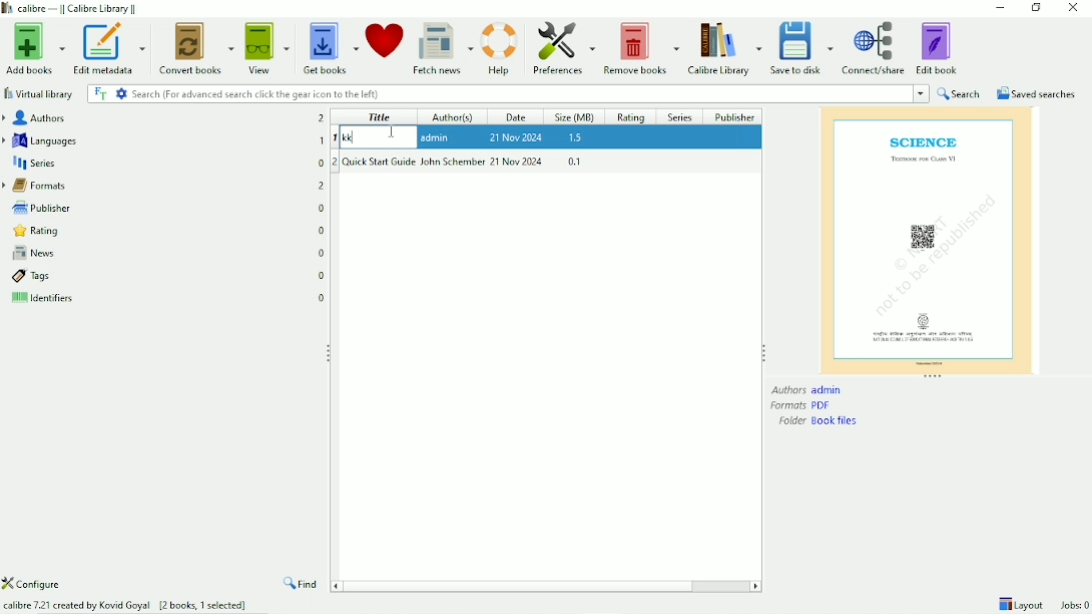 The width and height of the screenshot is (1092, 614). I want to click on Search, so click(499, 93).